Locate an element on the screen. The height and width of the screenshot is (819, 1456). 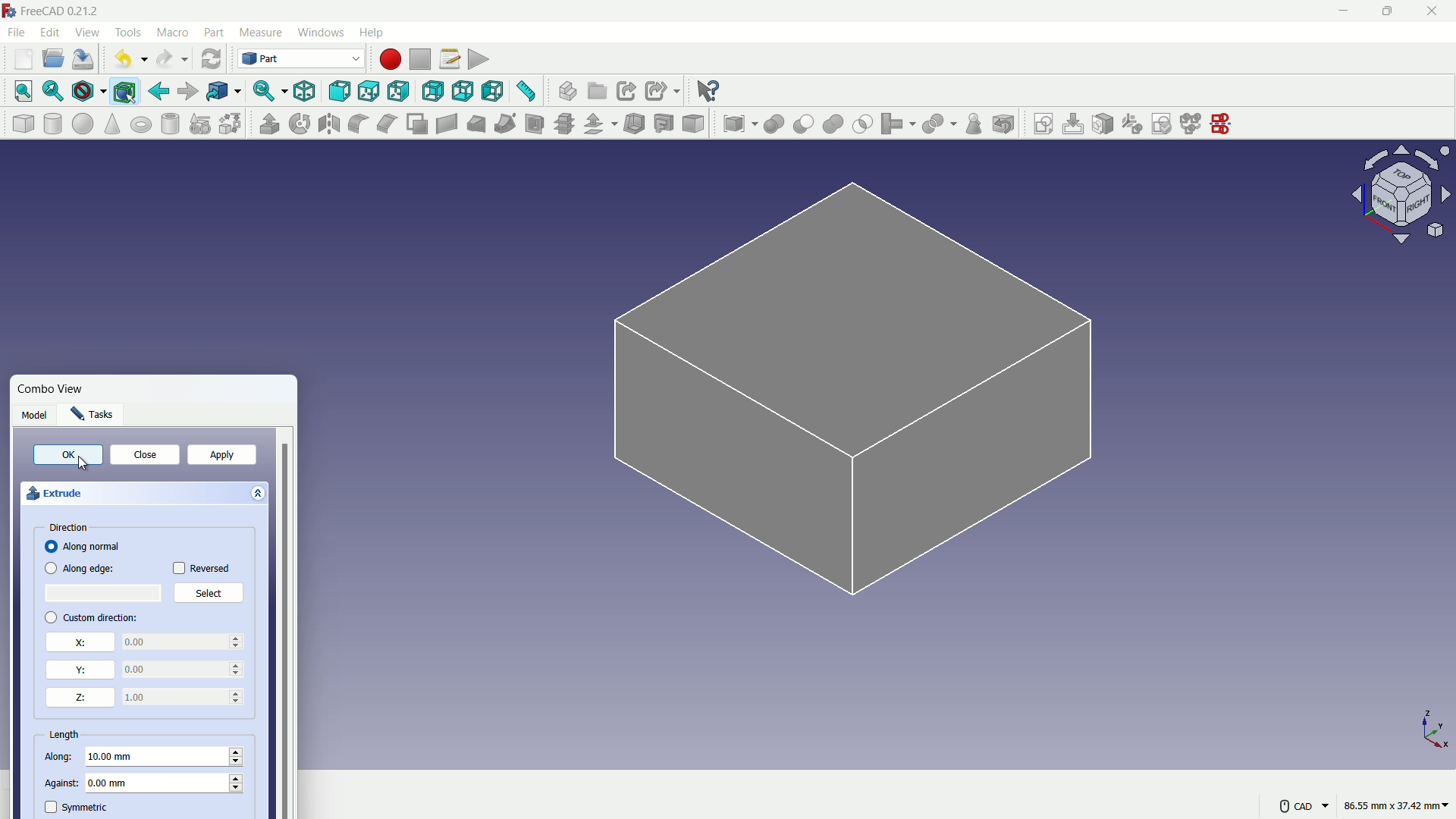
direction properties is located at coordinates (76, 529).